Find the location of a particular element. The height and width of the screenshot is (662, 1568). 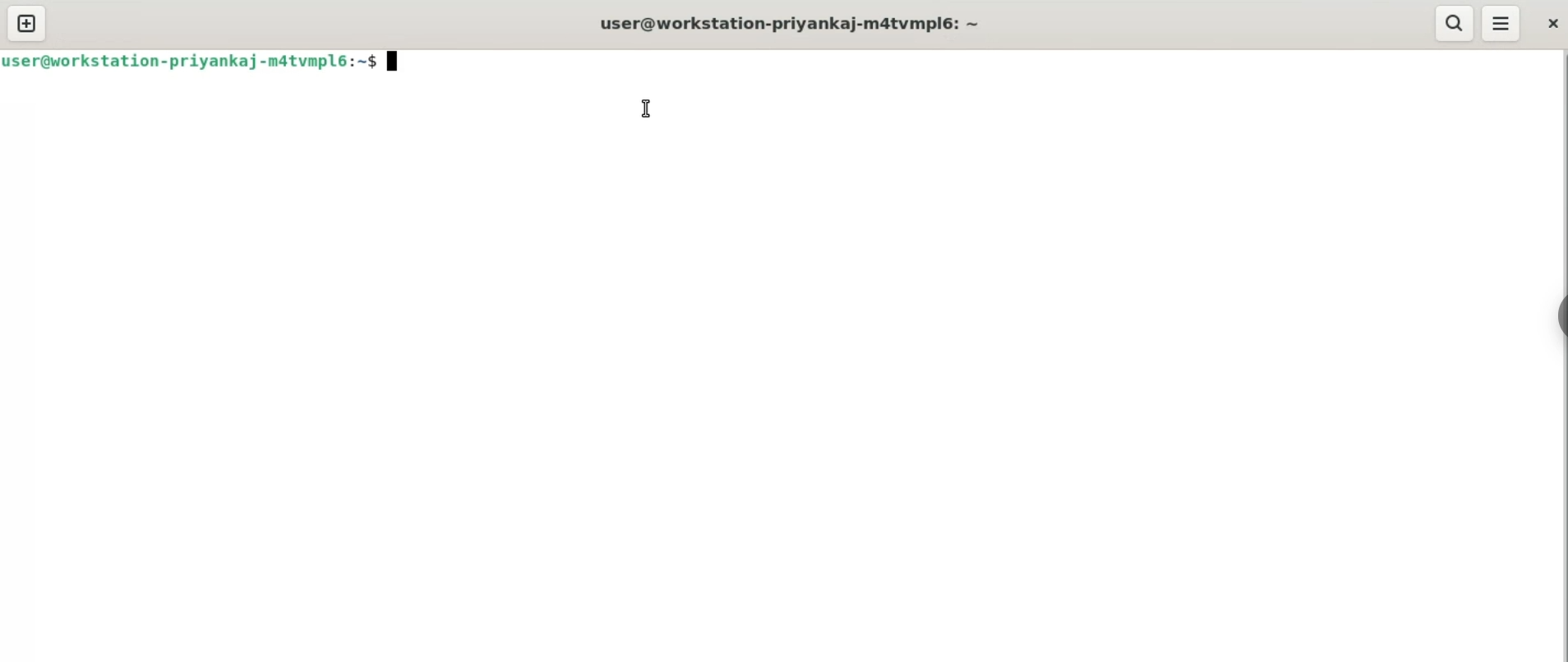

close is located at coordinates (1554, 20).